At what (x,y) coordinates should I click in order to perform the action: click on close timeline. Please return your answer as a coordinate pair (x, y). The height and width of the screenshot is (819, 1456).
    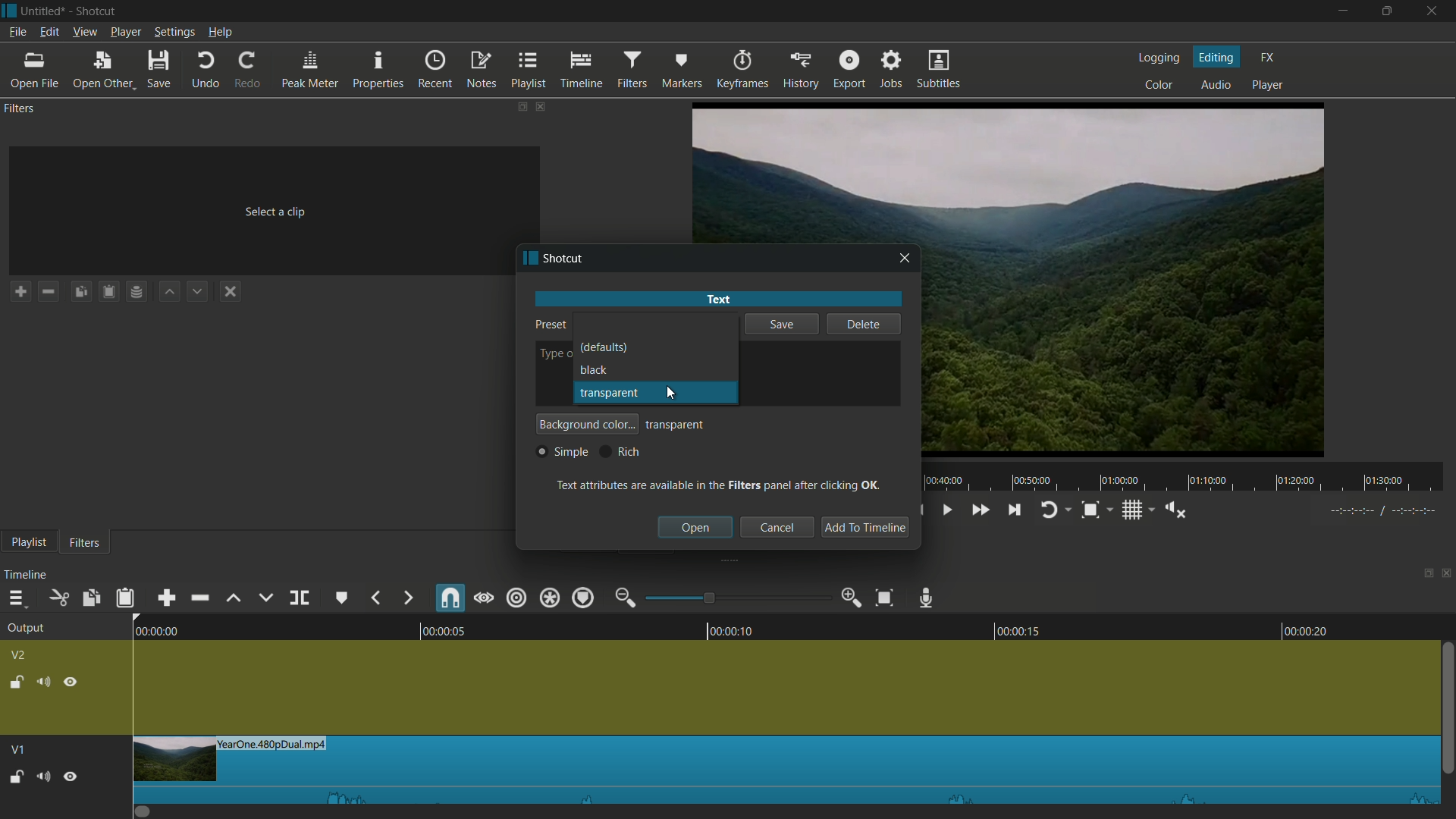
    Looking at the image, I should click on (1447, 576).